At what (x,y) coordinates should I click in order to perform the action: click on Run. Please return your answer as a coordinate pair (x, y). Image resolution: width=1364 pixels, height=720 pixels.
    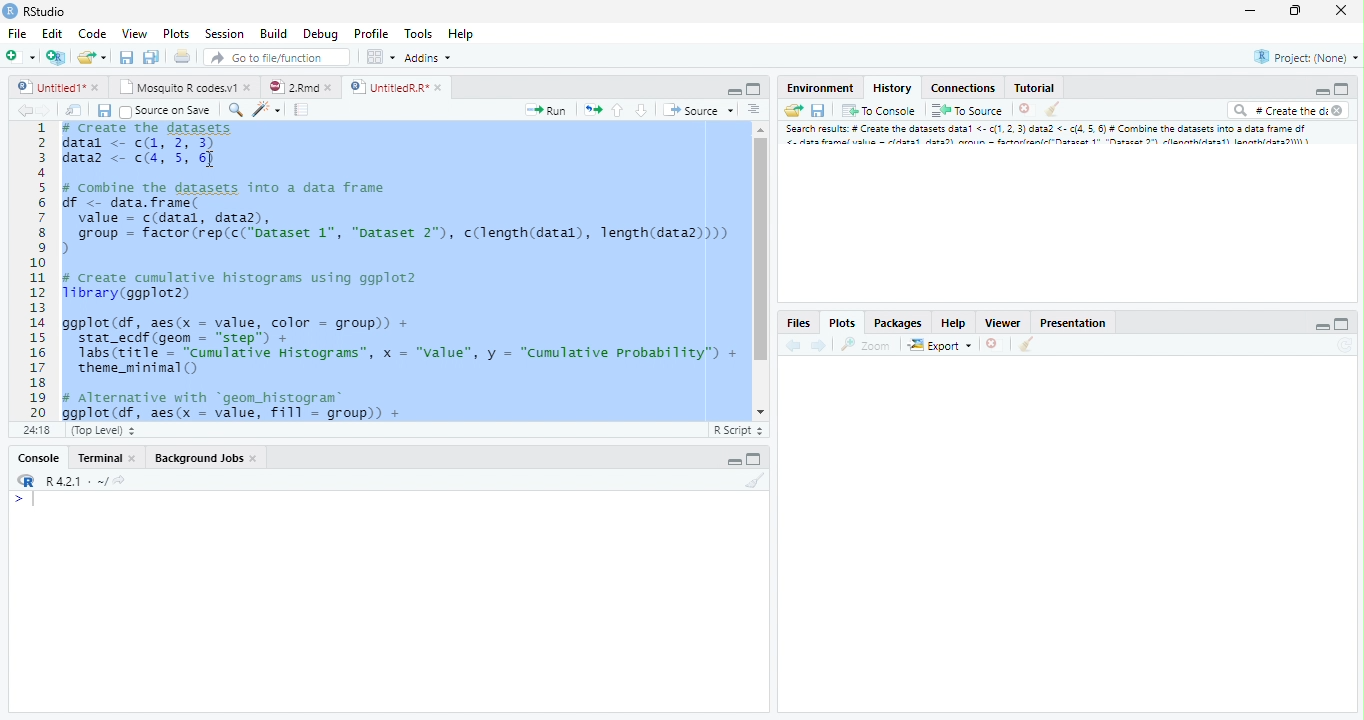
    Looking at the image, I should click on (546, 110).